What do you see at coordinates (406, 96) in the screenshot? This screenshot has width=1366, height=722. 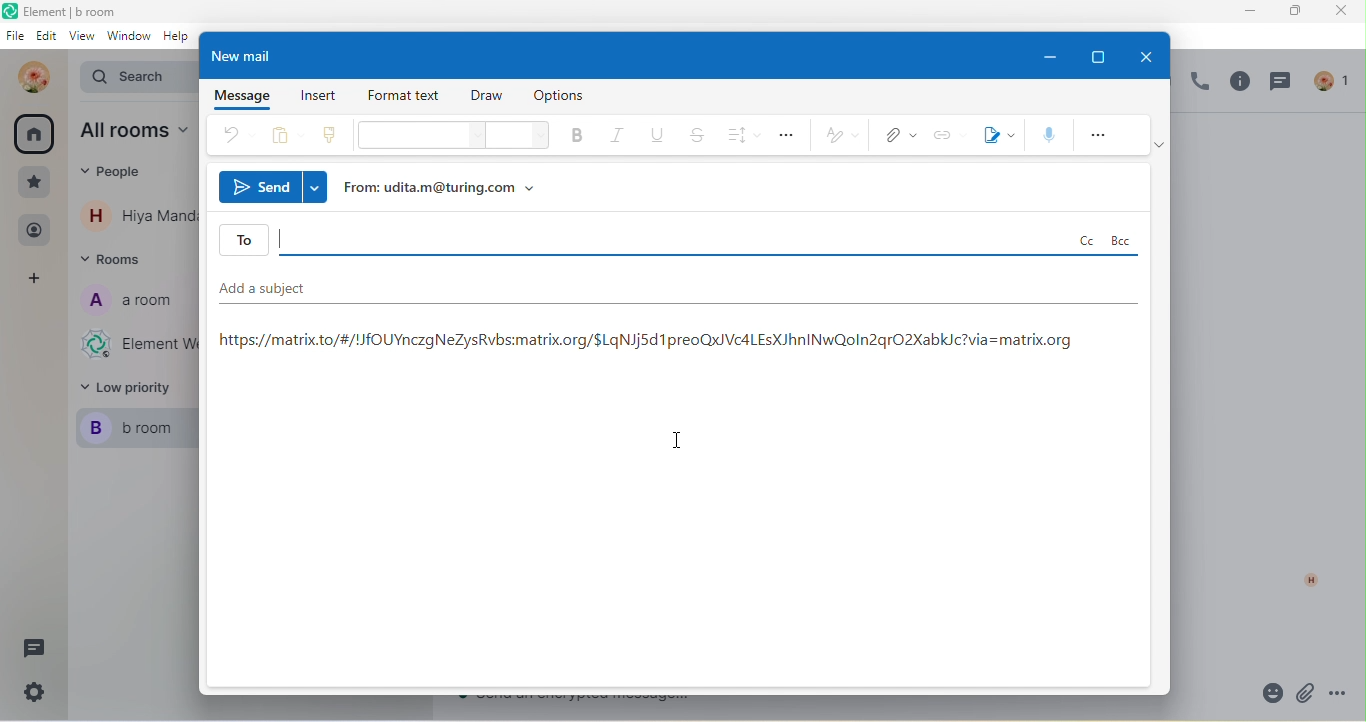 I see `format text` at bounding box center [406, 96].